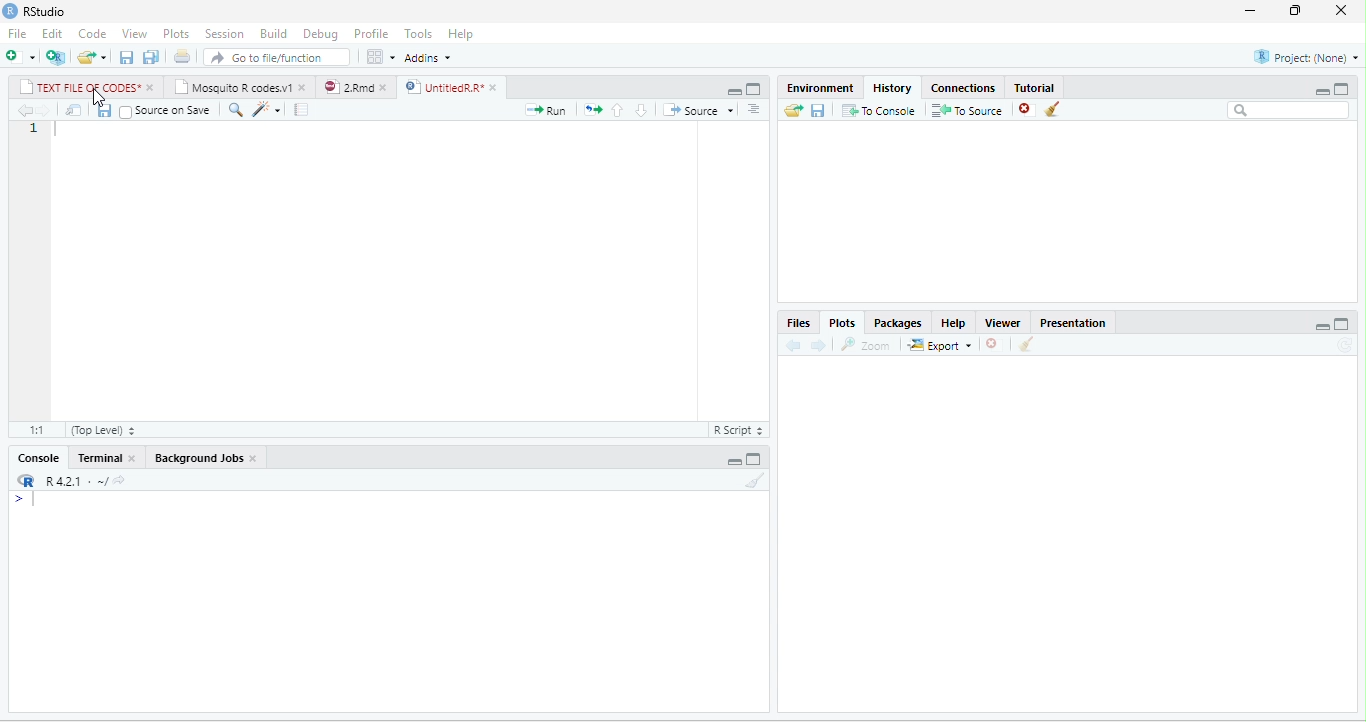 The width and height of the screenshot is (1366, 722). What do you see at coordinates (322, 35) in the screenshot?
I see `Debug` at bounding box center [322, 35].